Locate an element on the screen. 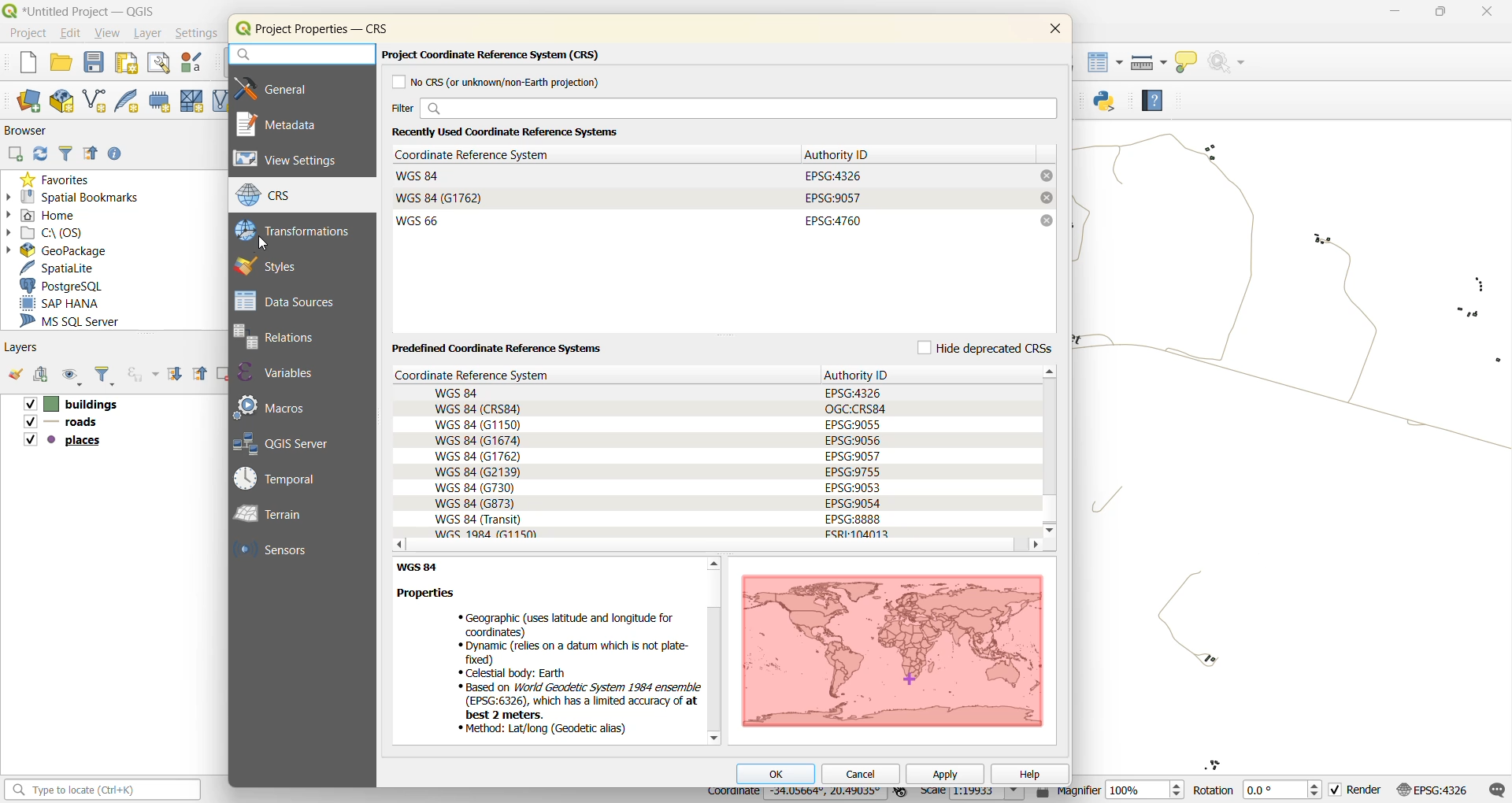 The height and width of the screenshot is (803, 1512). WGS 84 (G2149) is located at coordinates (477, 472).